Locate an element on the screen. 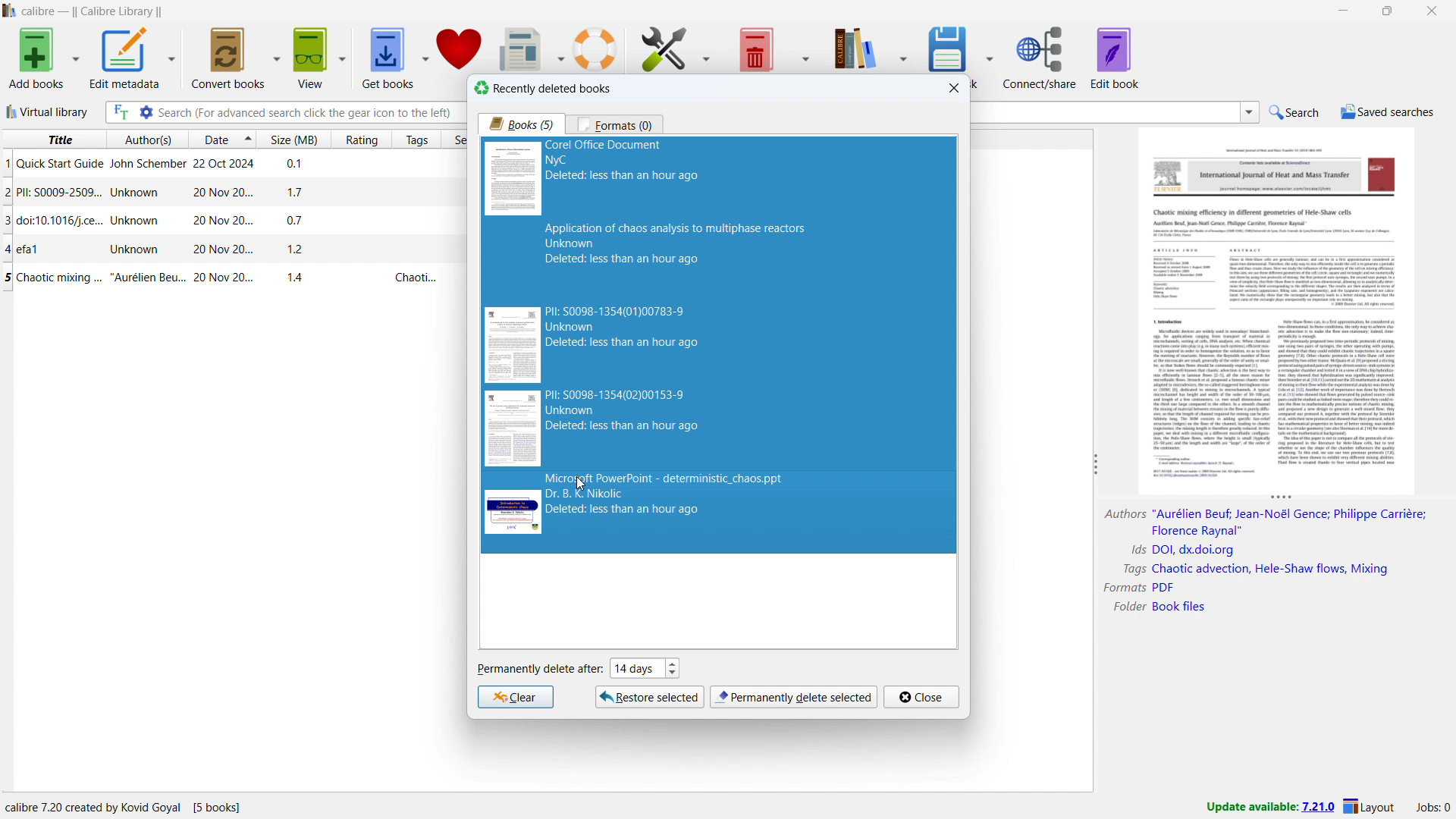 This screenshot has width=1456, height=819. virtual library is located at coordinates (46, 111).